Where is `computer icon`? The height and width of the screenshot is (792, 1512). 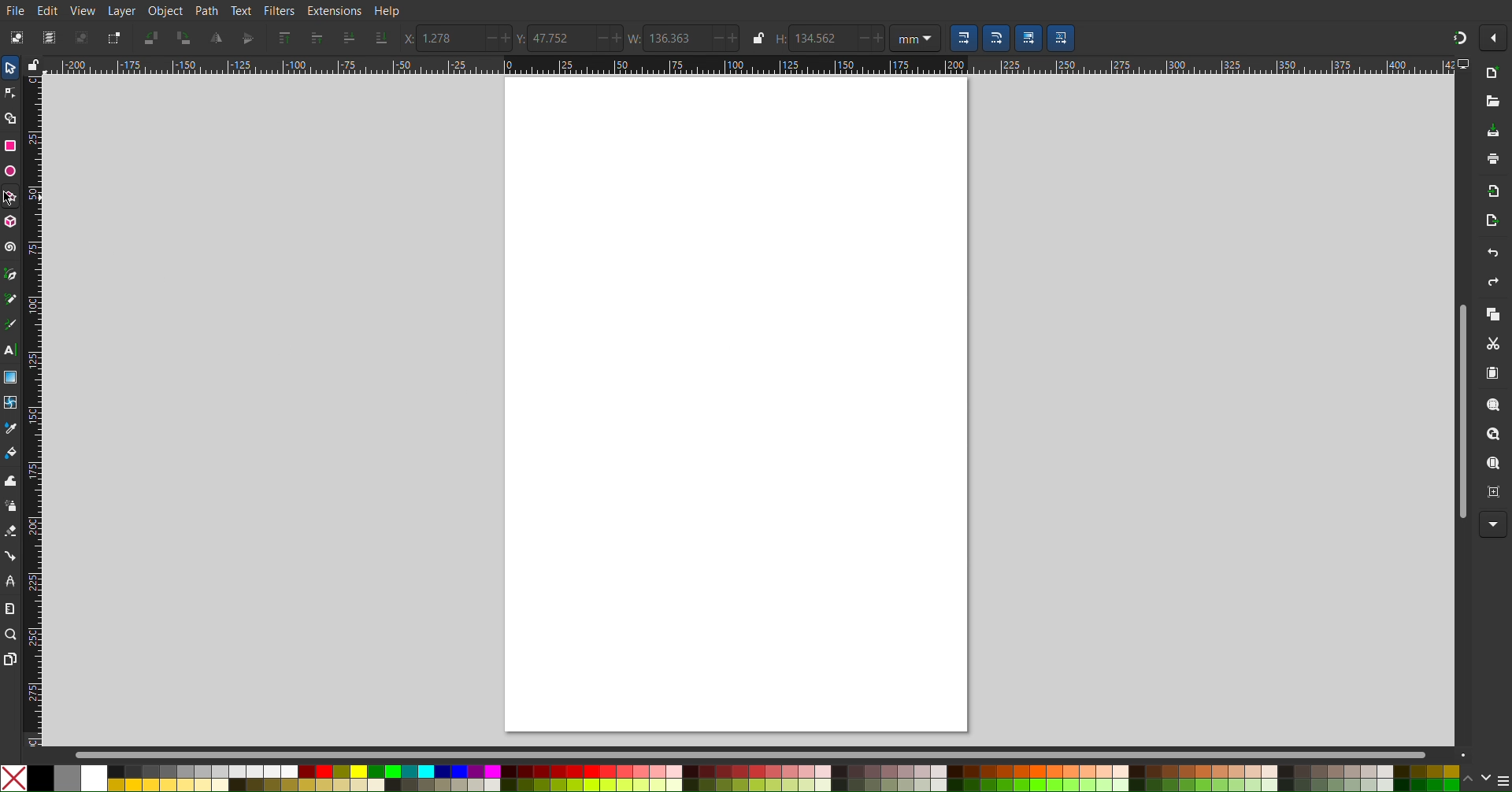 computer icon is located at coordinates (1466, 64).